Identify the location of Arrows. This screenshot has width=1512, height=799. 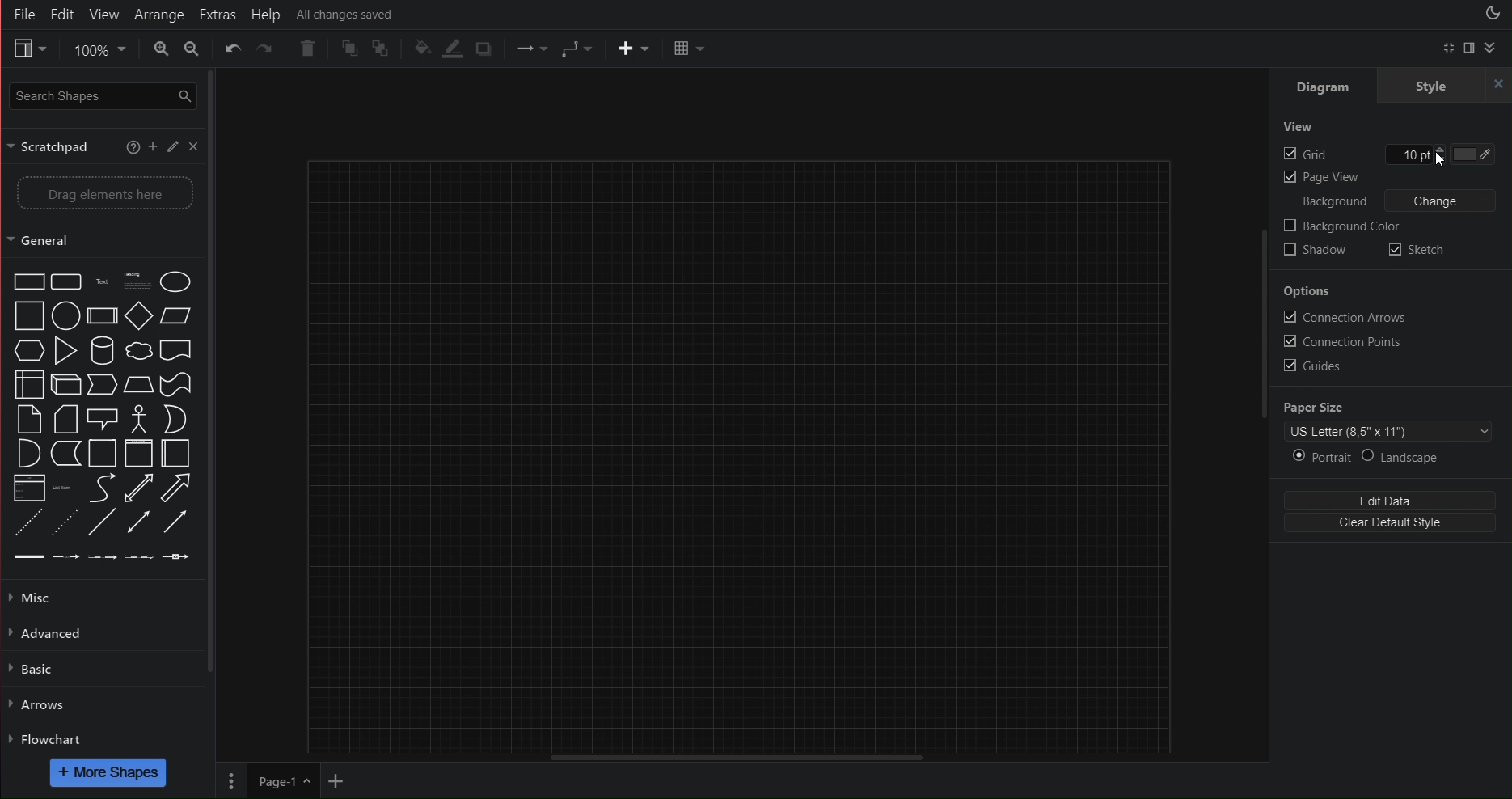
(39, 703).